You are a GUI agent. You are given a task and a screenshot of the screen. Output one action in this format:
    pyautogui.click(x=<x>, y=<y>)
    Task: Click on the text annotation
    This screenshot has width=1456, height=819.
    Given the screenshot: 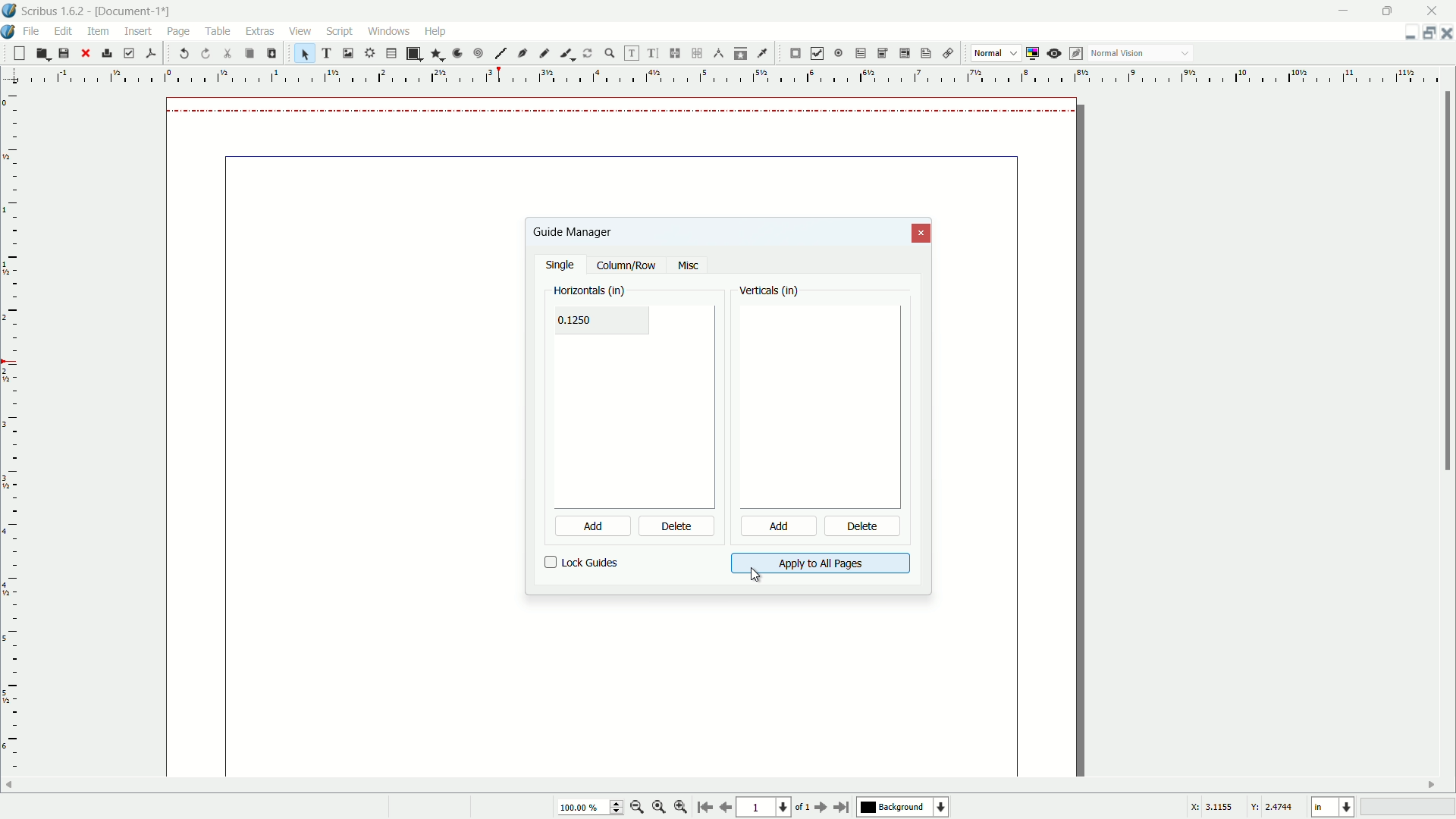 What is the action you would take?
    pyautogui.click(x=924, y=54)
    